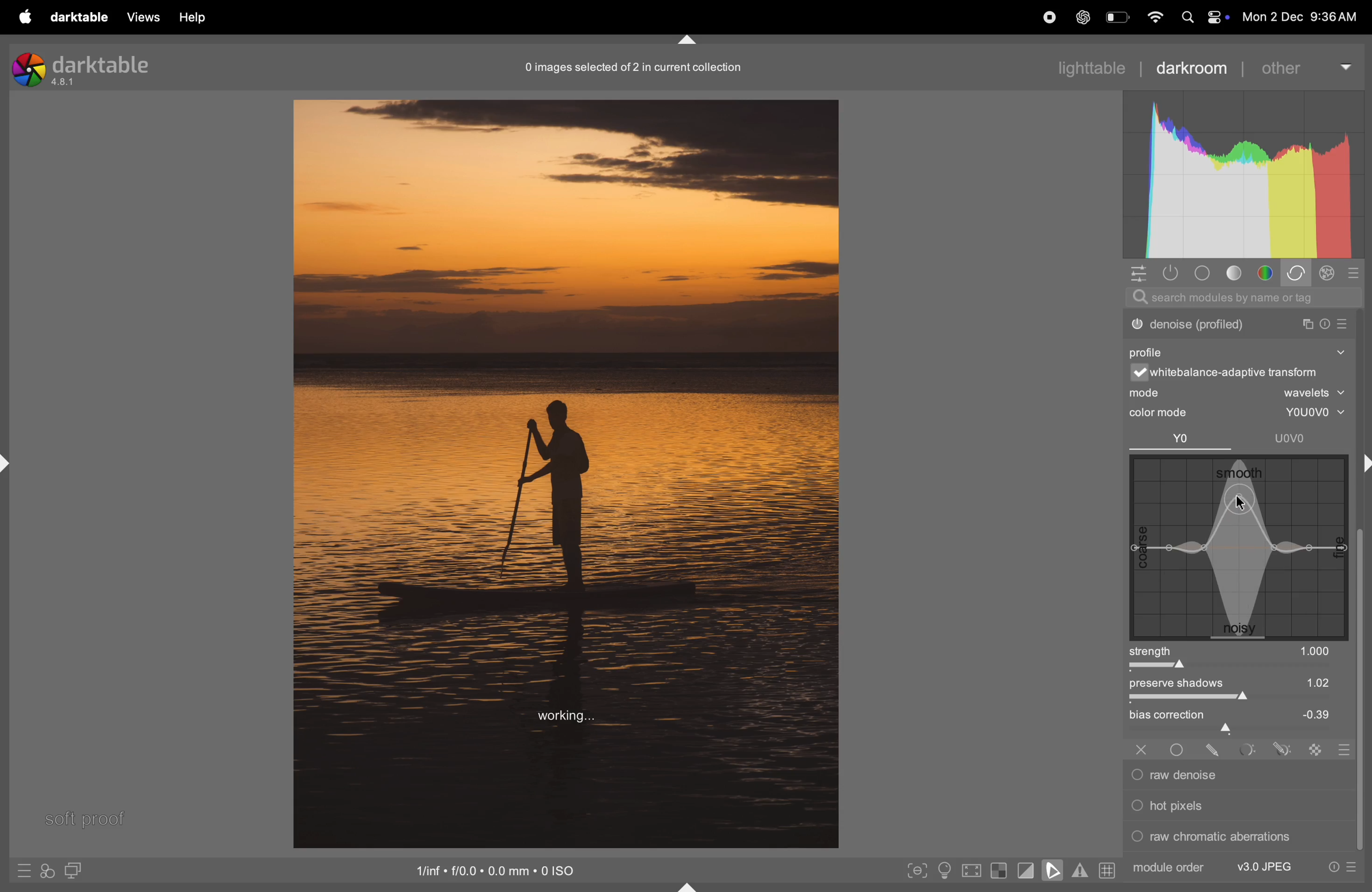 The image size is (1372, 892). What do you see at coordinates (1362, 691) in the screenshot?
I see `task bar` at bounding box center [1362, 691].